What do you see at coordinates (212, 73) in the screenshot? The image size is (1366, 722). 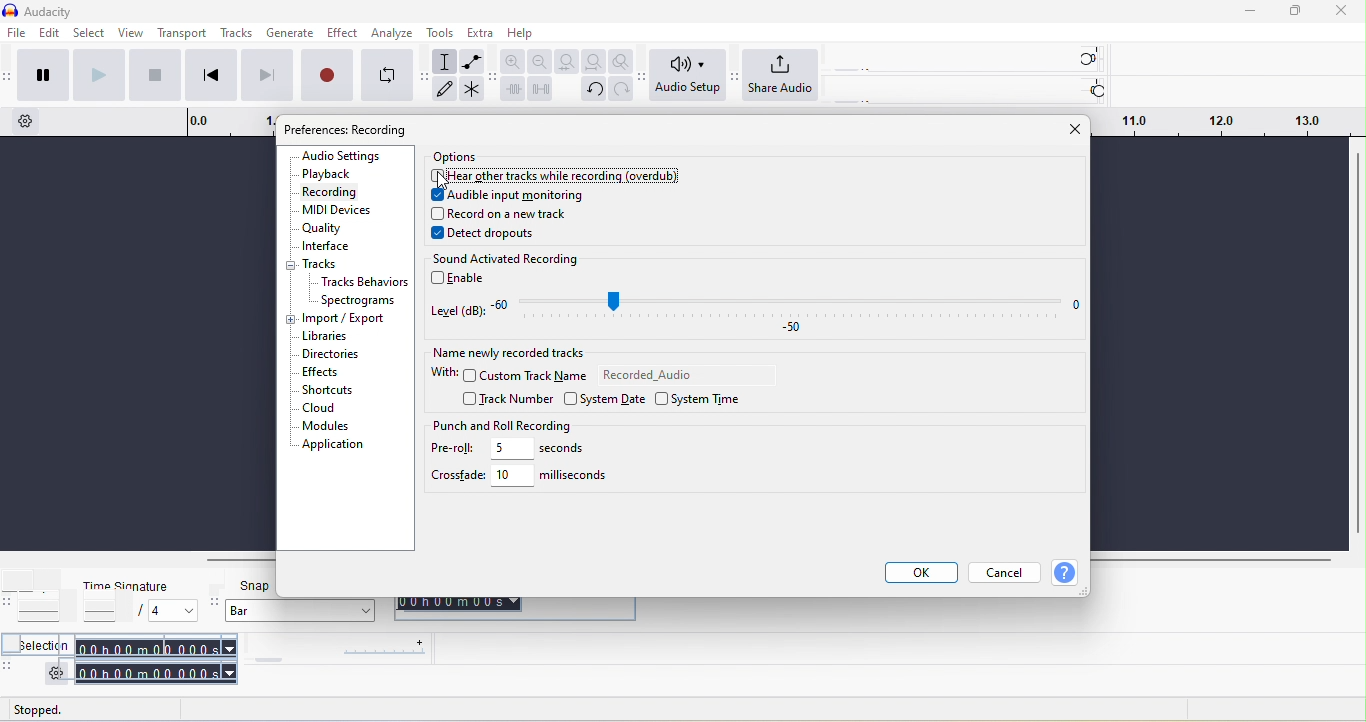 I see `skip to start` at bounding box center [212, 73].